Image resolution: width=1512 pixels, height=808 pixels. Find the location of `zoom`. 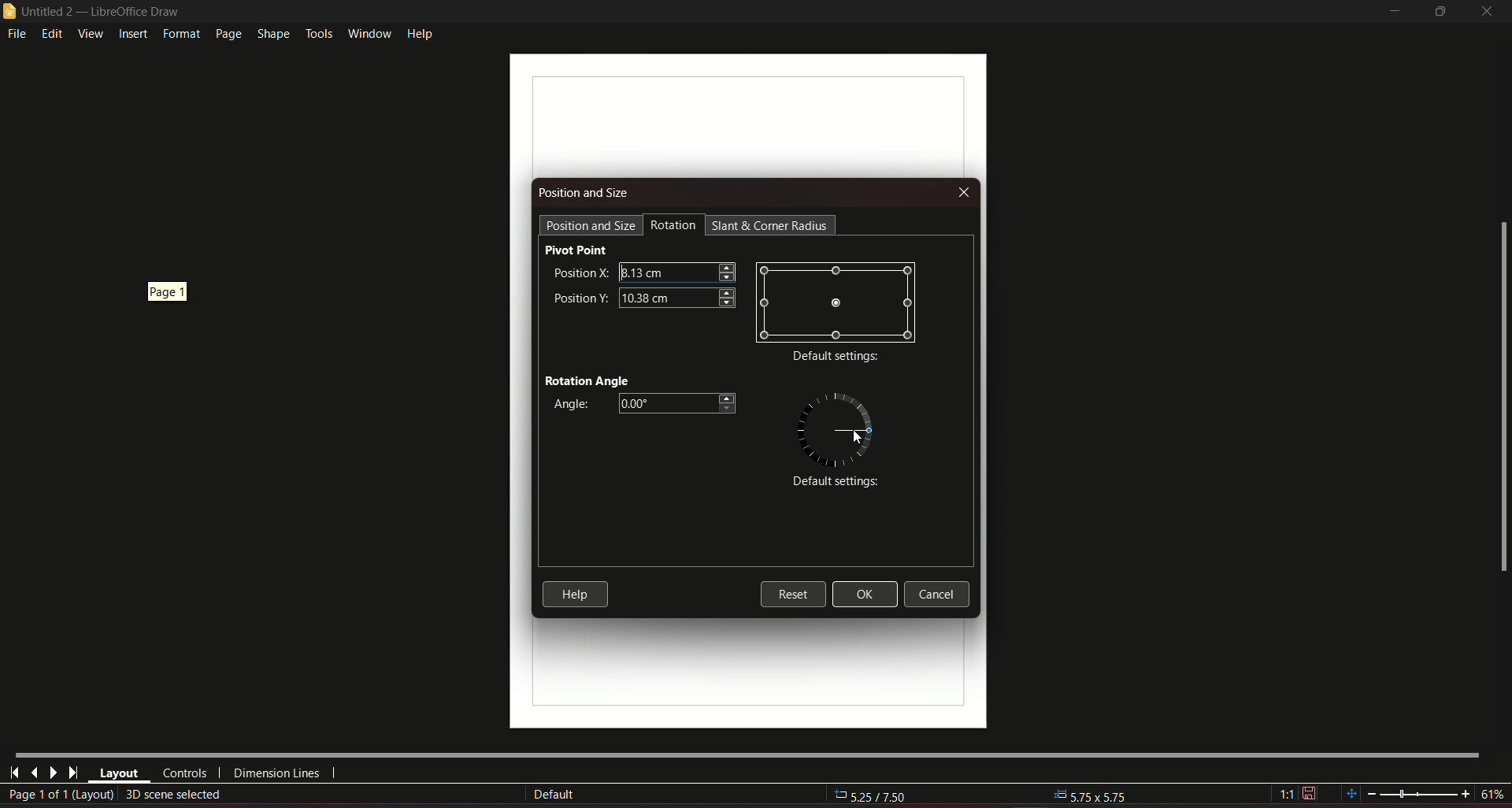

zoom is located at coordinates (1423, 793).